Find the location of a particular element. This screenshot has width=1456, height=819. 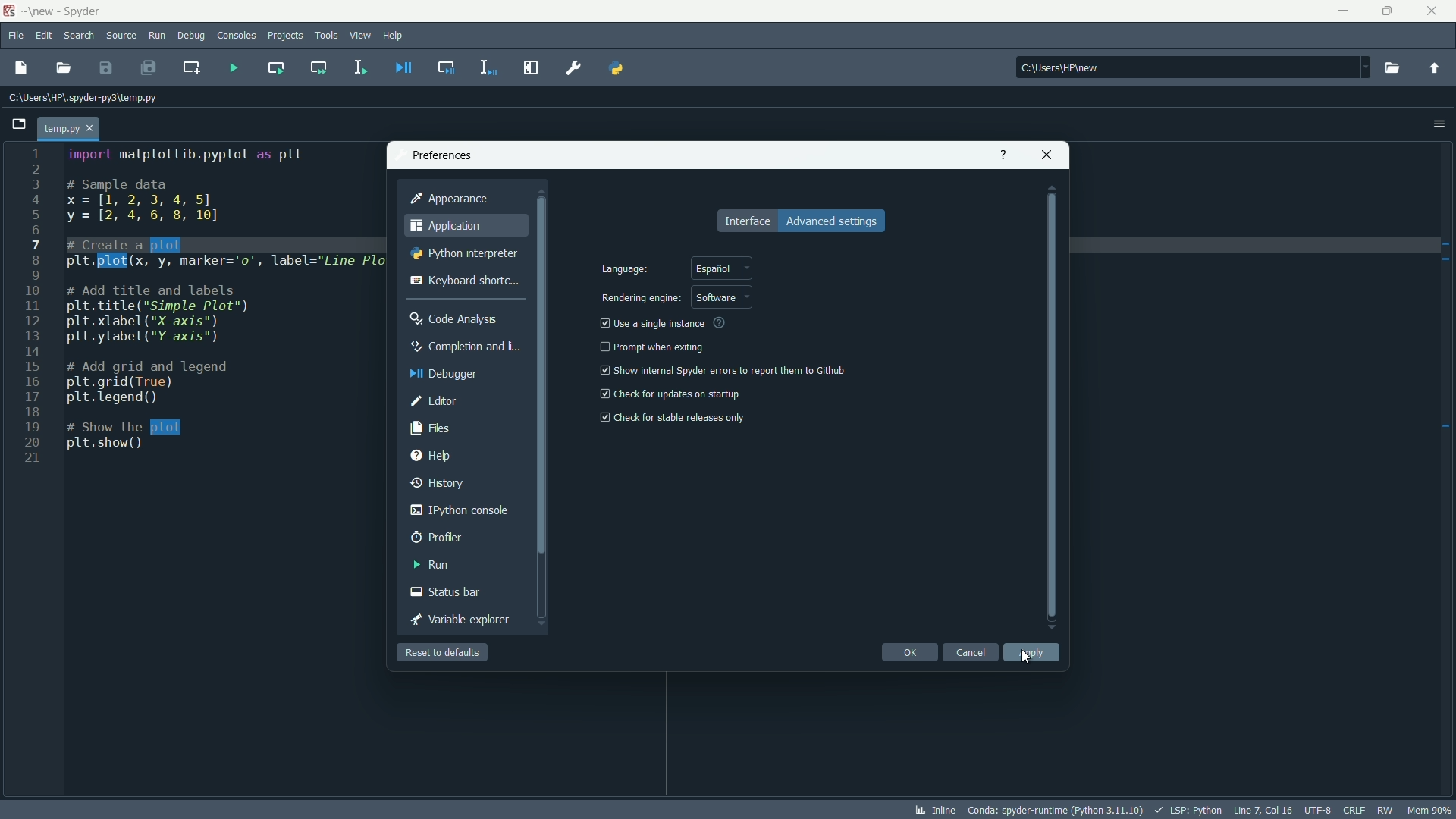

source is located at coordinates (121, 35).